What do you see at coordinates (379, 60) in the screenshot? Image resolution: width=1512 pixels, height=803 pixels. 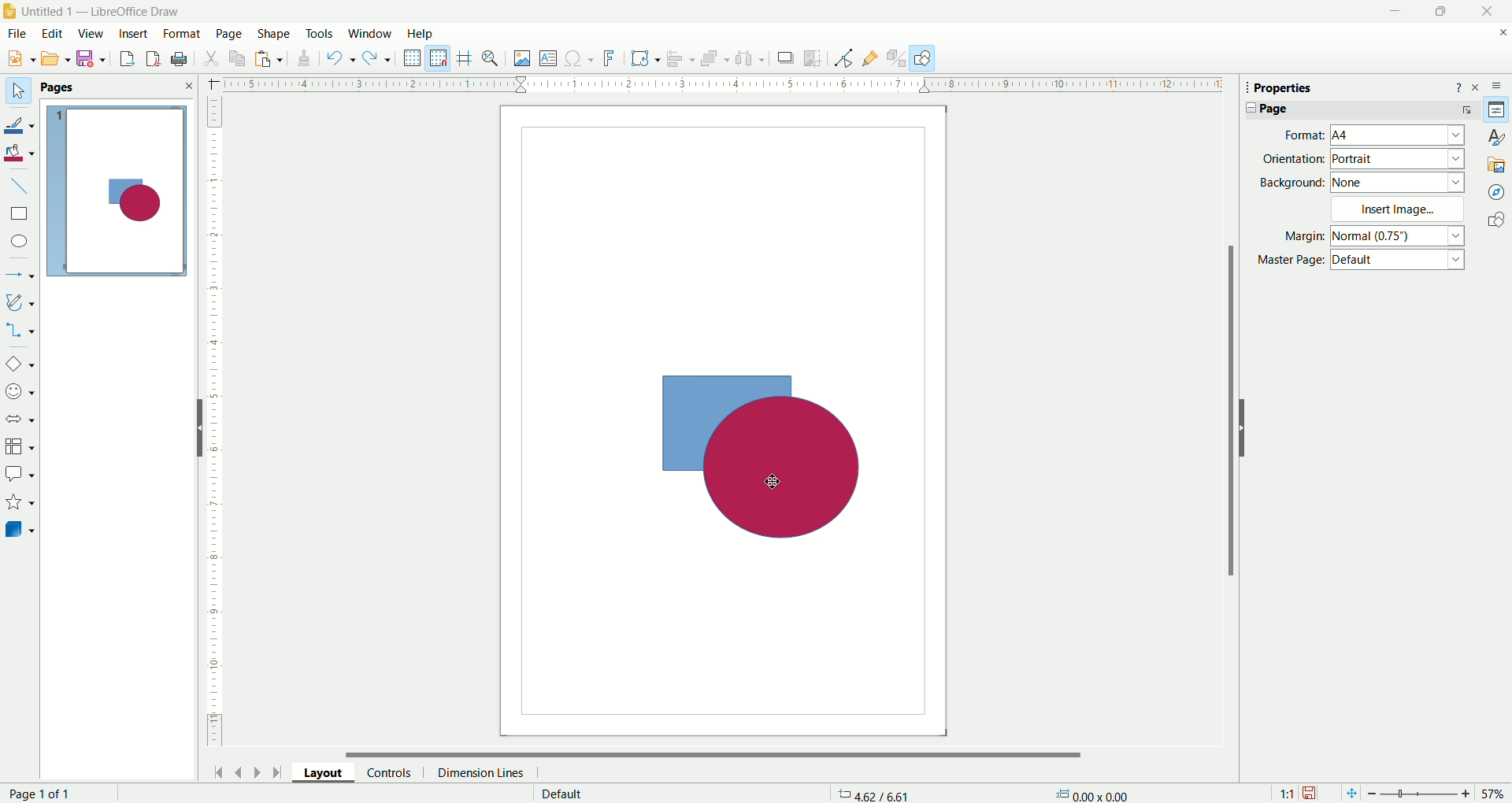 I see `redo` at bounding box center [379, 60].